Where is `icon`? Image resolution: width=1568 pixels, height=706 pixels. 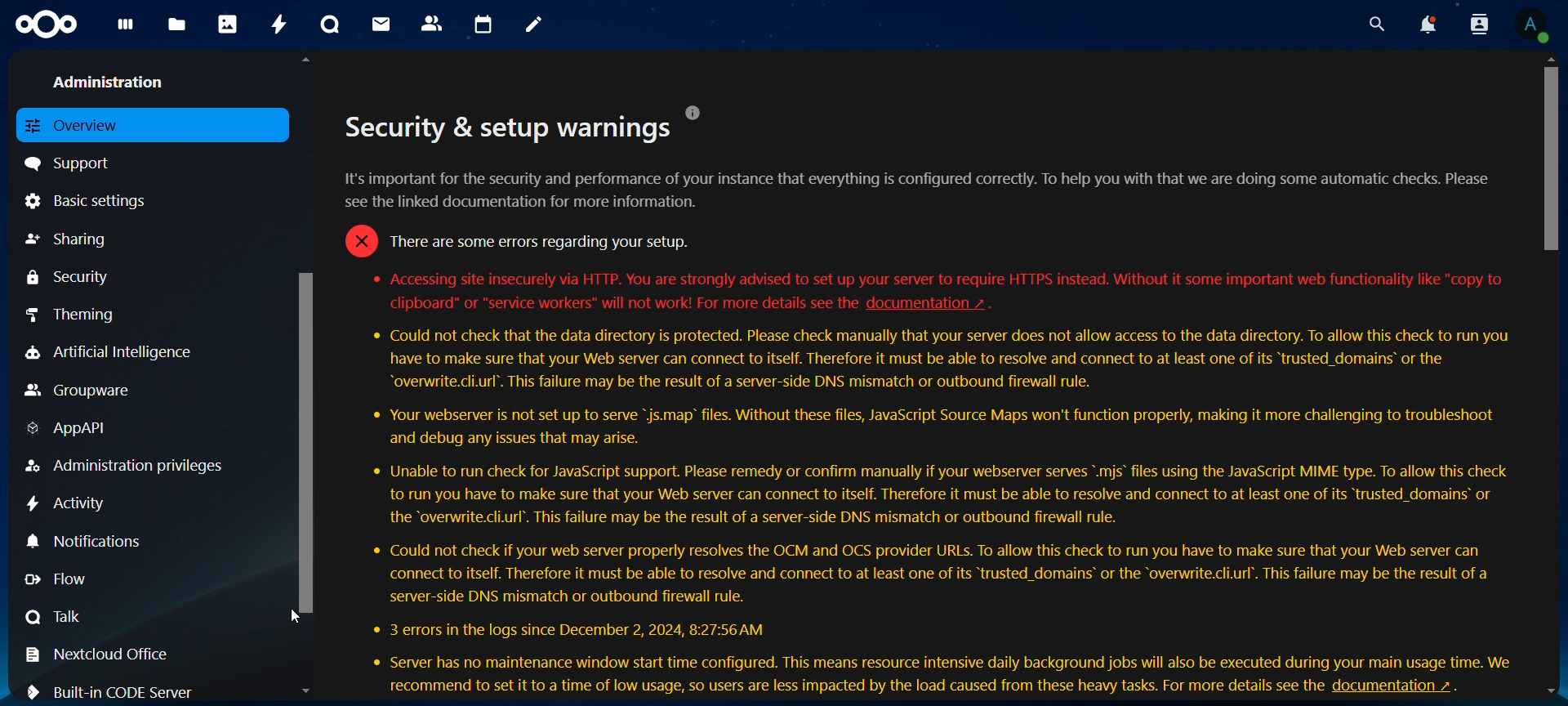
icon is located at coordinates (48, 25).